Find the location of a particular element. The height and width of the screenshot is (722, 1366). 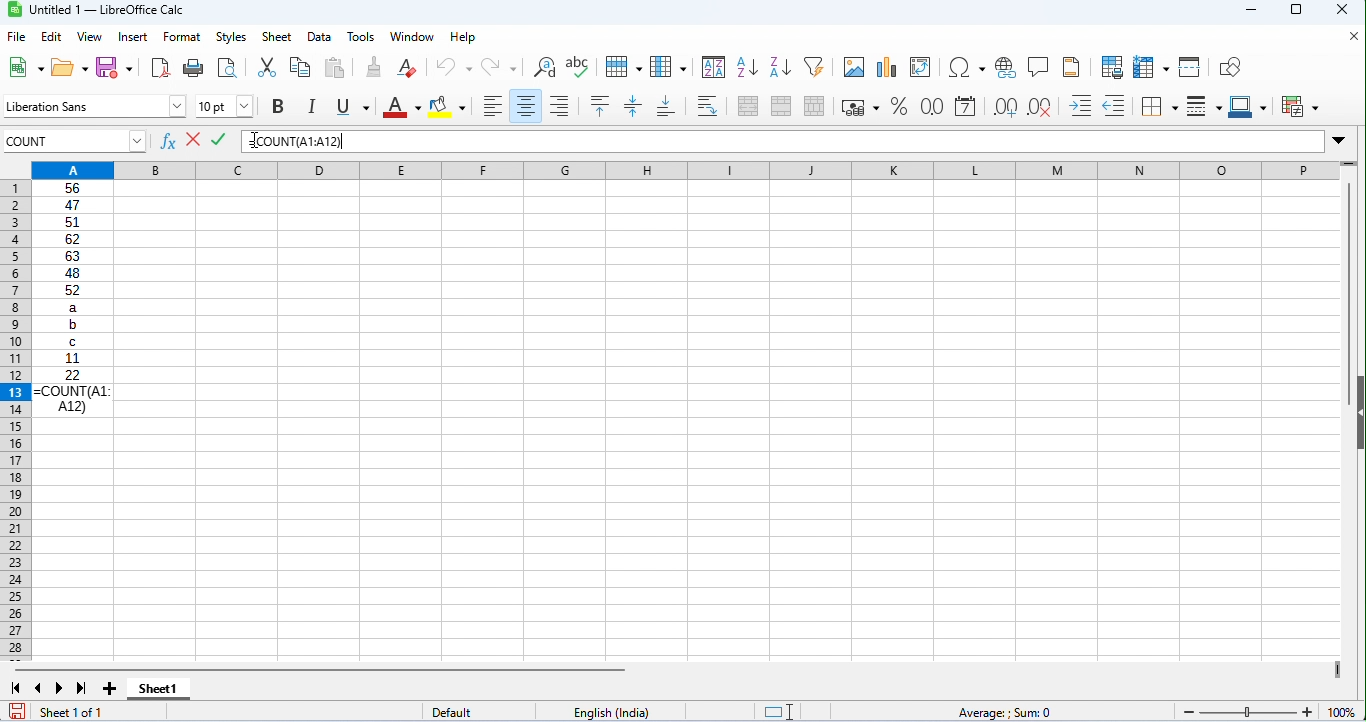

view is located at coordinates (88, 37).